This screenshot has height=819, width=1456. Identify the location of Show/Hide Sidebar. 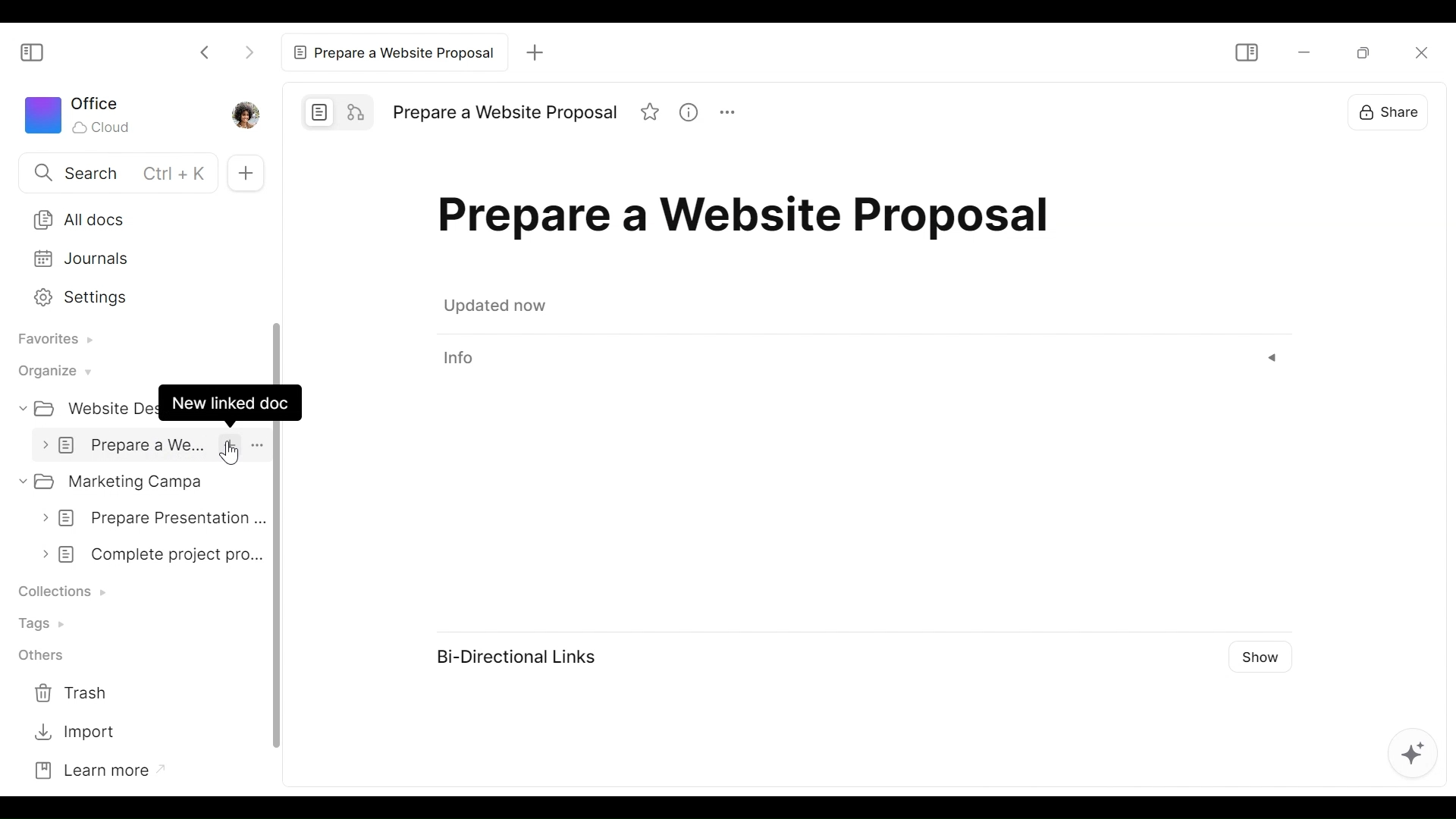
(30, 54).